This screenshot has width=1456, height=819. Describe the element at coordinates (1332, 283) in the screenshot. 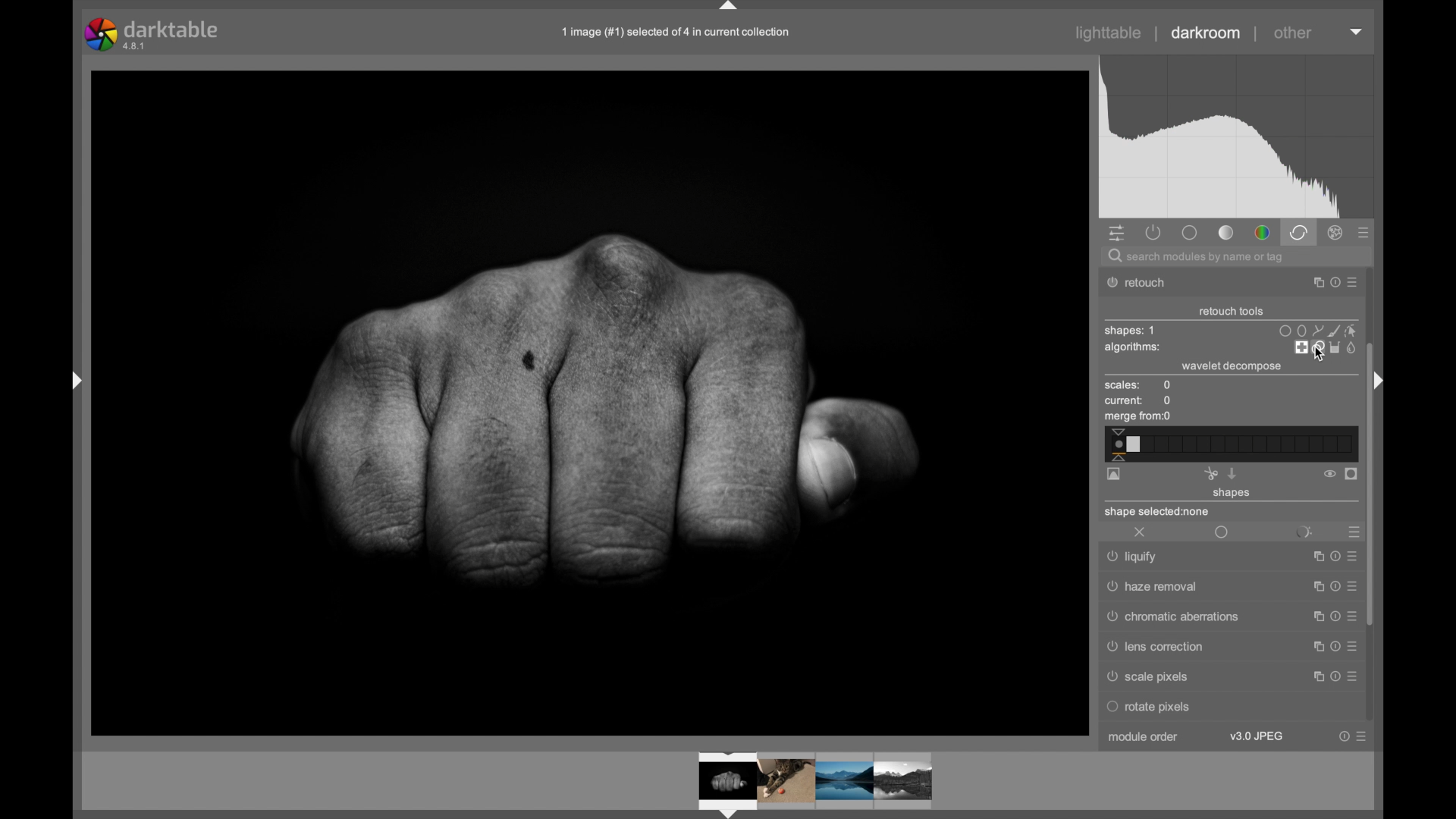

I see `help` at that location.